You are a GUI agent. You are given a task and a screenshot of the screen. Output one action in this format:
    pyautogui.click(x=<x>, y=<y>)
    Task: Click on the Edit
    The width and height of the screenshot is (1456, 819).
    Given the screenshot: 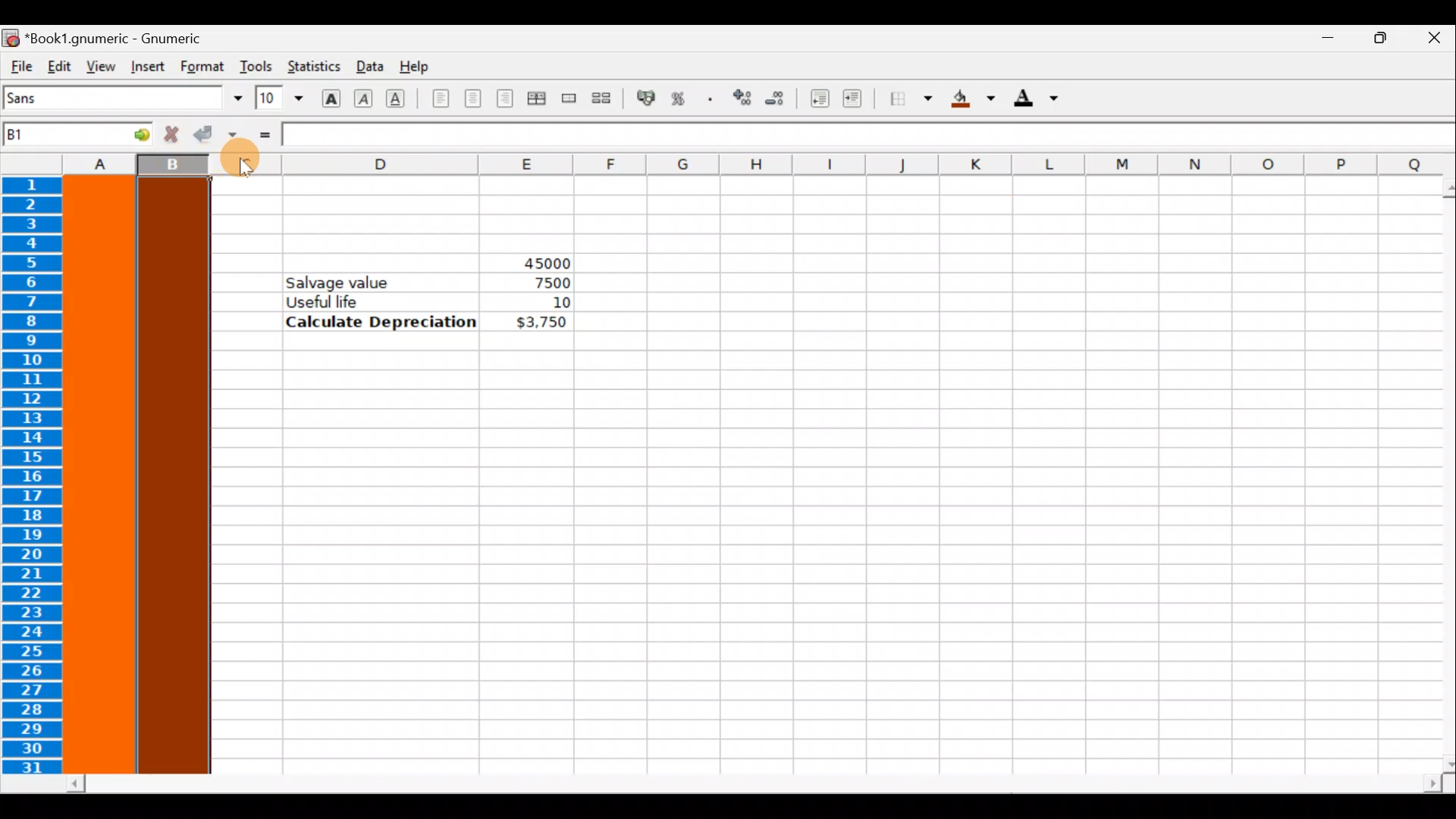 What is the action you would take?
    pyautogui.click(x=59, y=65)
    